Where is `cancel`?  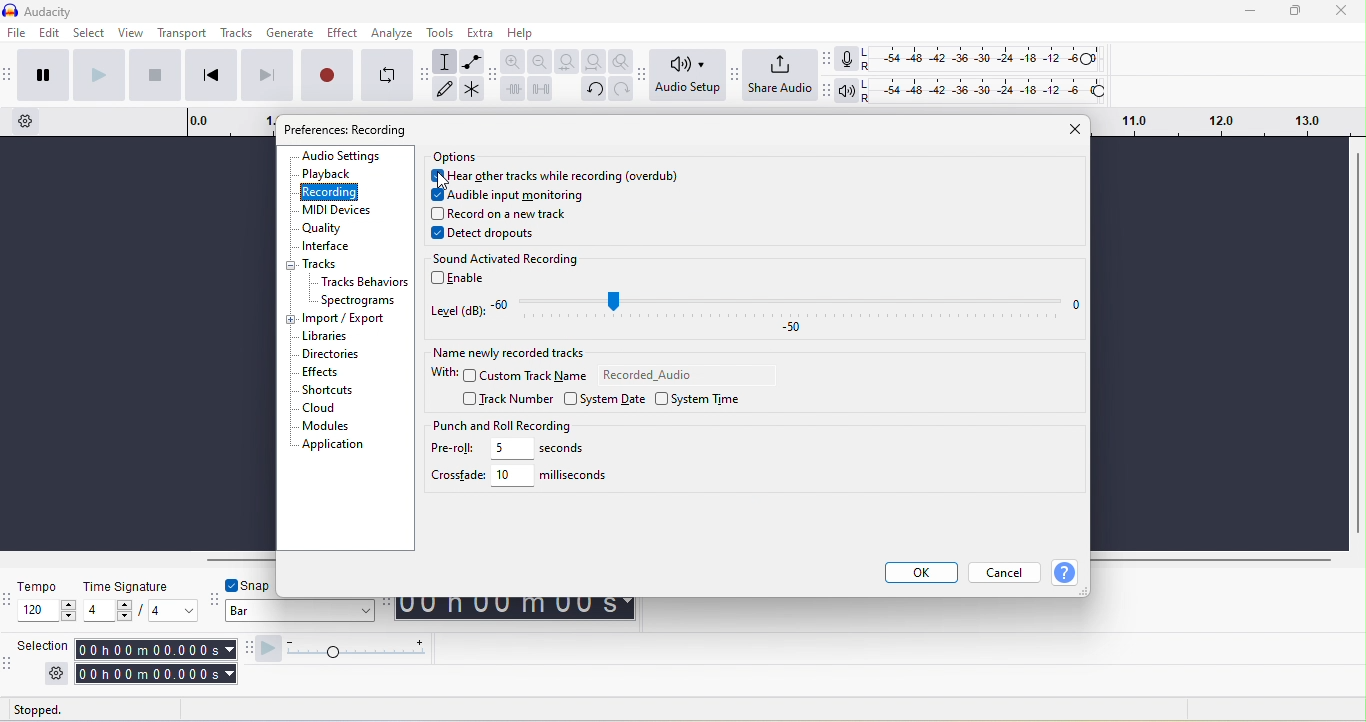
cancel is located at coordinates (1004, 572).